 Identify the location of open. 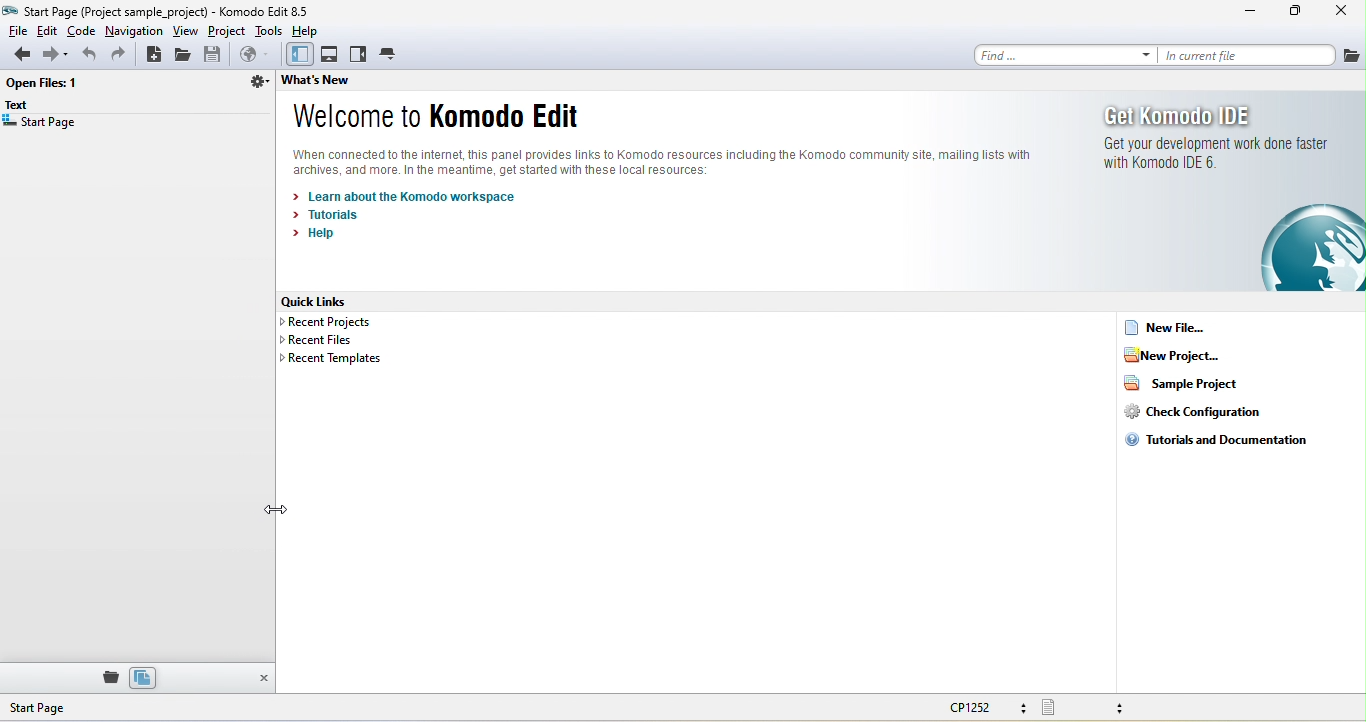
(186, 55).